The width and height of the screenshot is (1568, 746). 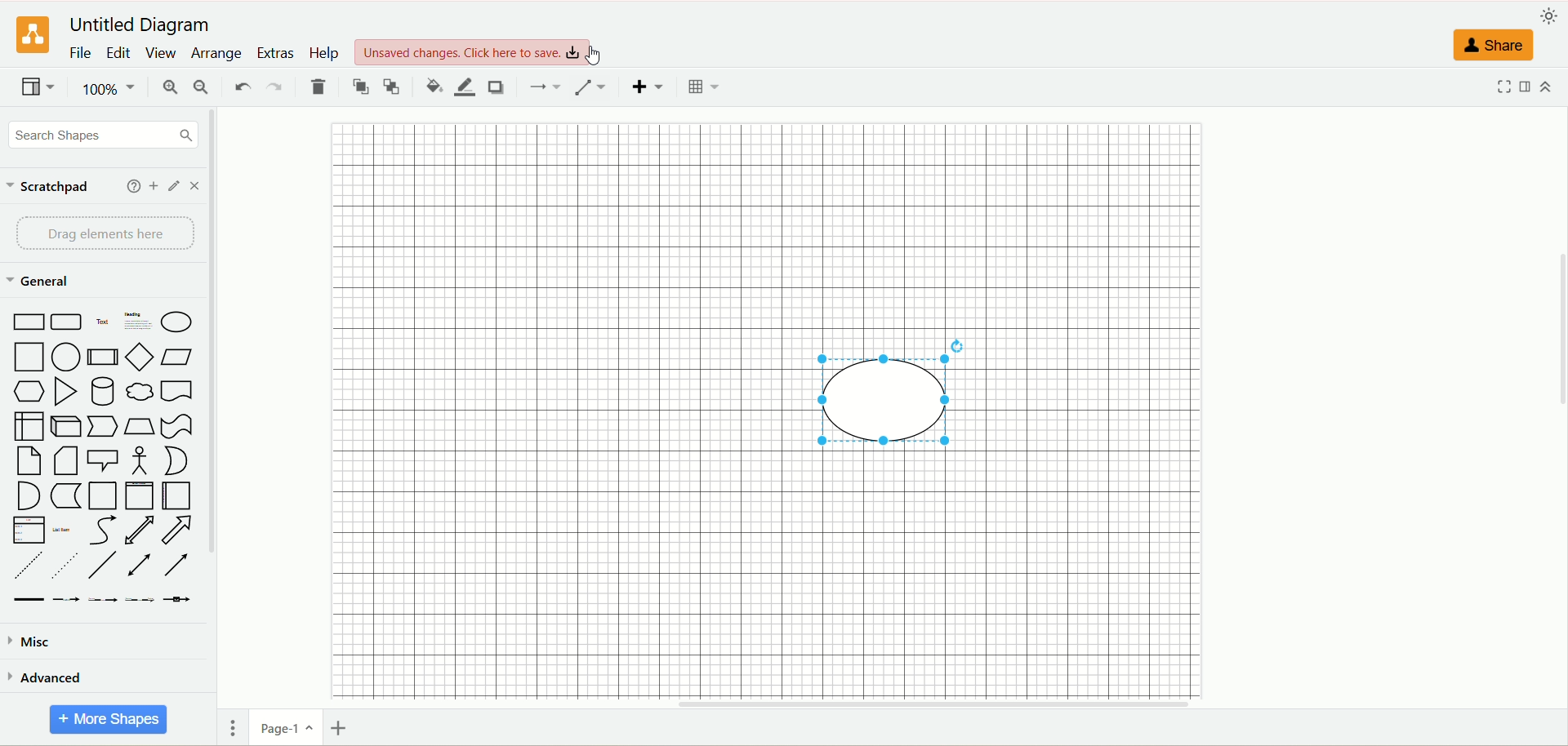 What do you see at coordinates (63, 566) in the screenshot?
I see `dotted line` at bounding box center [63, 566].